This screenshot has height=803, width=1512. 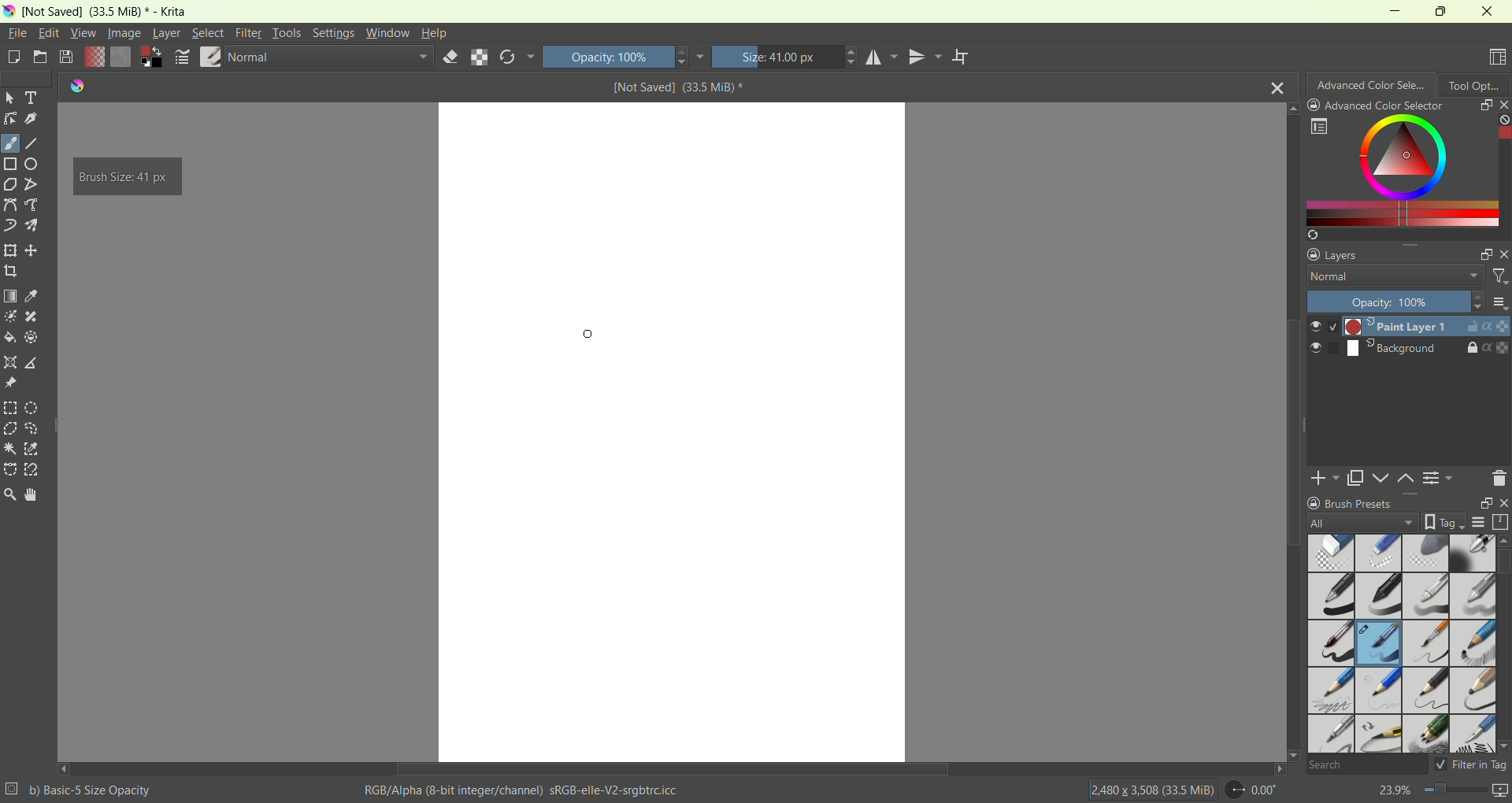 What do you see at coordinates (1391, 302) in the screenshot?
I see `Opacity 100%` at bounding box center [1391, 302].